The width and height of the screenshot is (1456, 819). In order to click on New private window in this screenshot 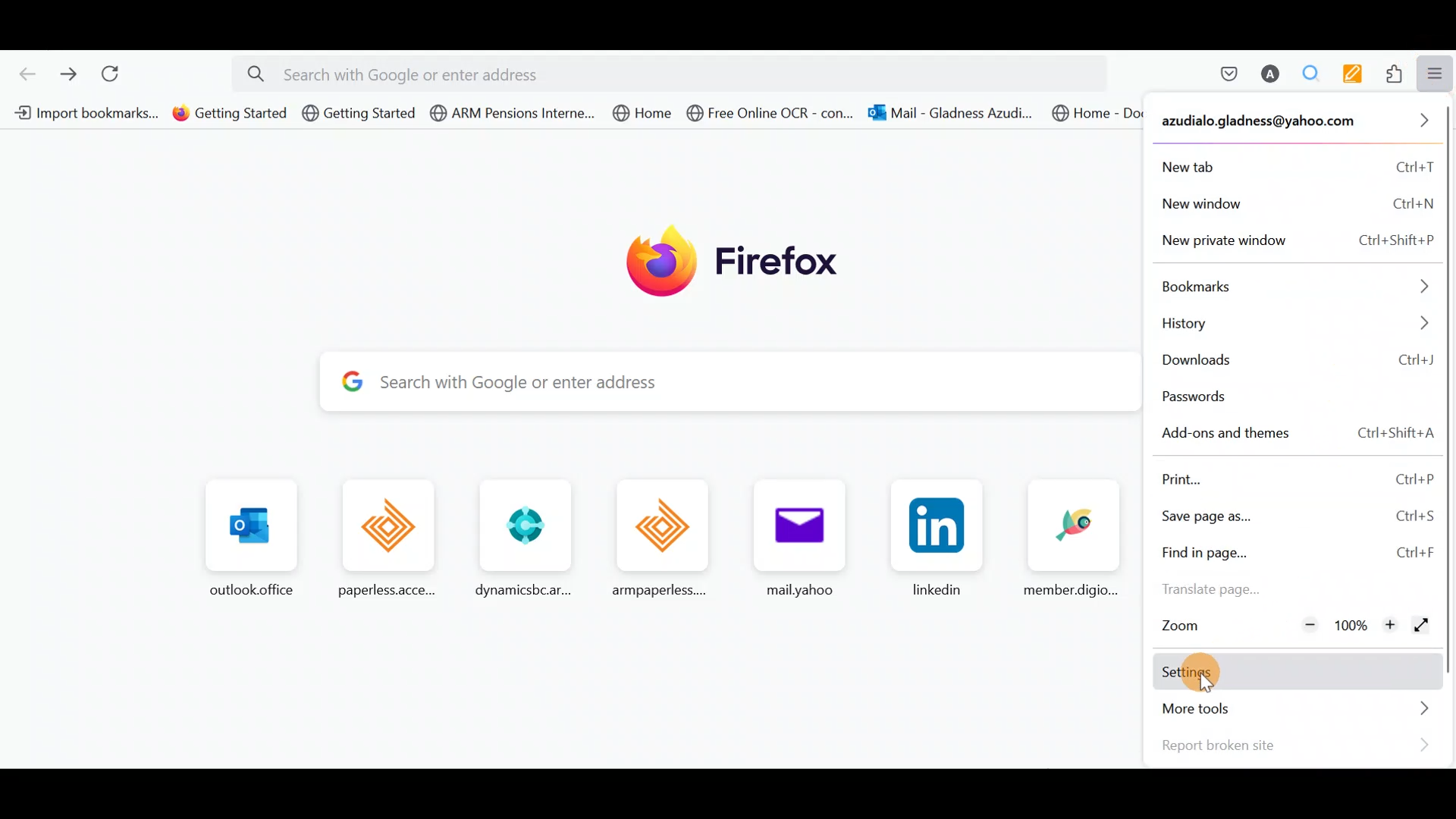, I will do `click(1278, 238)`.